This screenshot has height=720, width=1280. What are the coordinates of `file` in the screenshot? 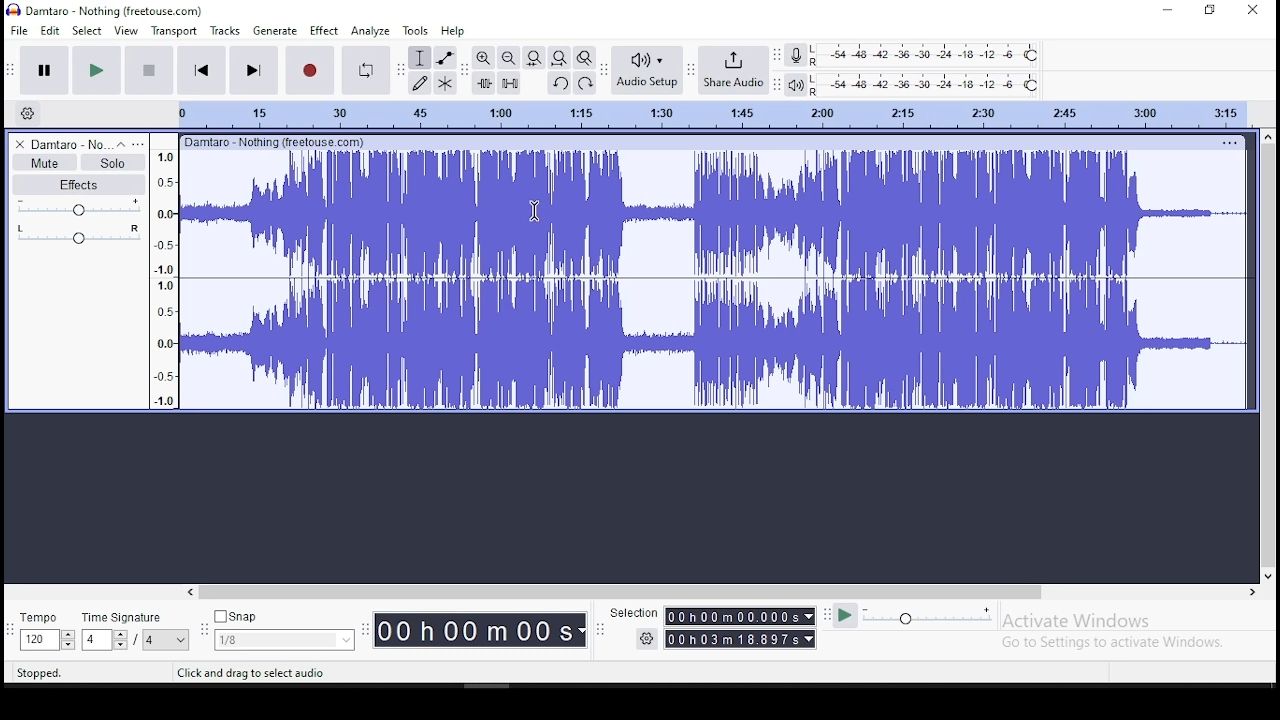 It's located at (18, 29).